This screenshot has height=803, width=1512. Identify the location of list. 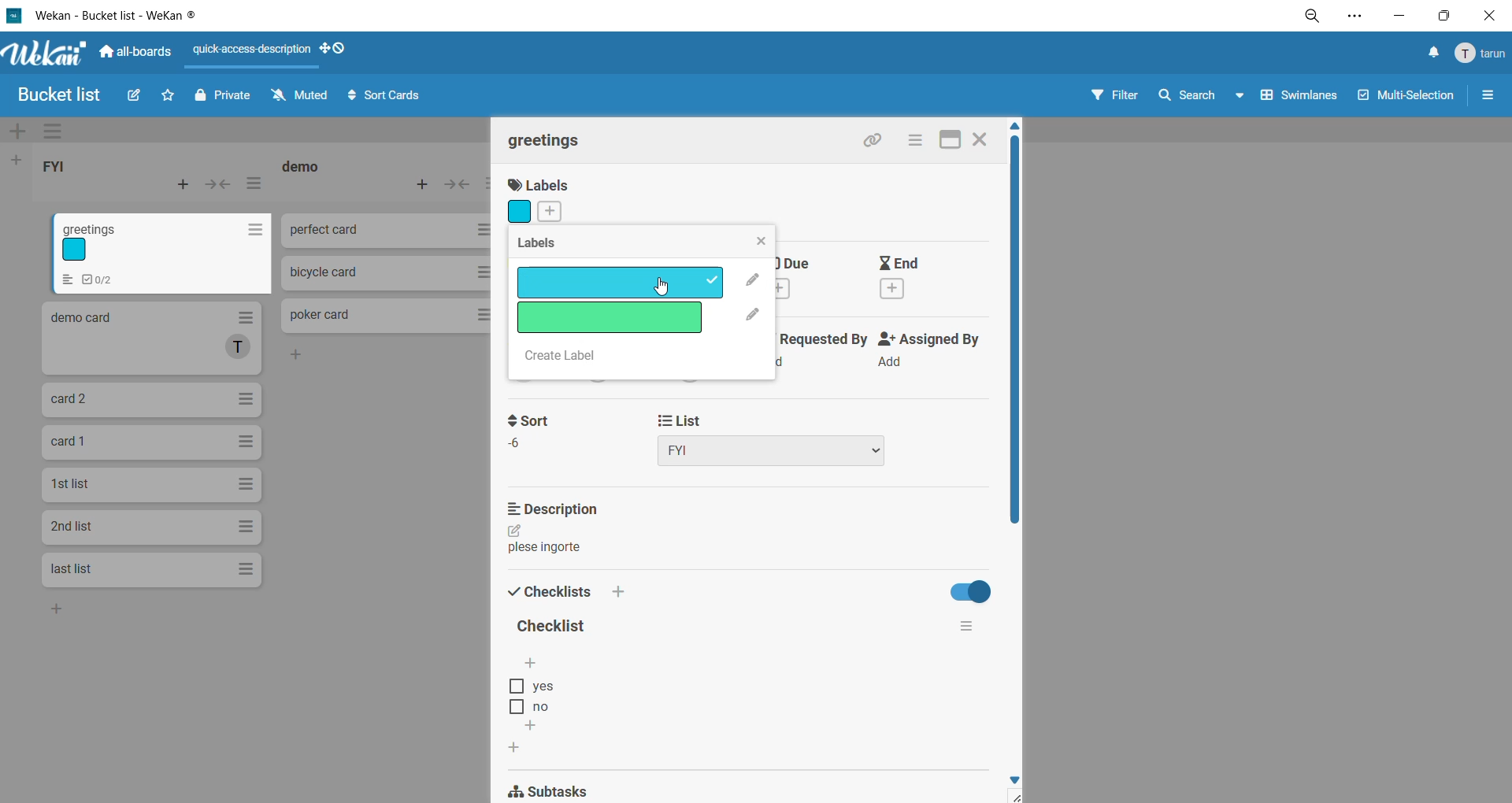
(780, 439).